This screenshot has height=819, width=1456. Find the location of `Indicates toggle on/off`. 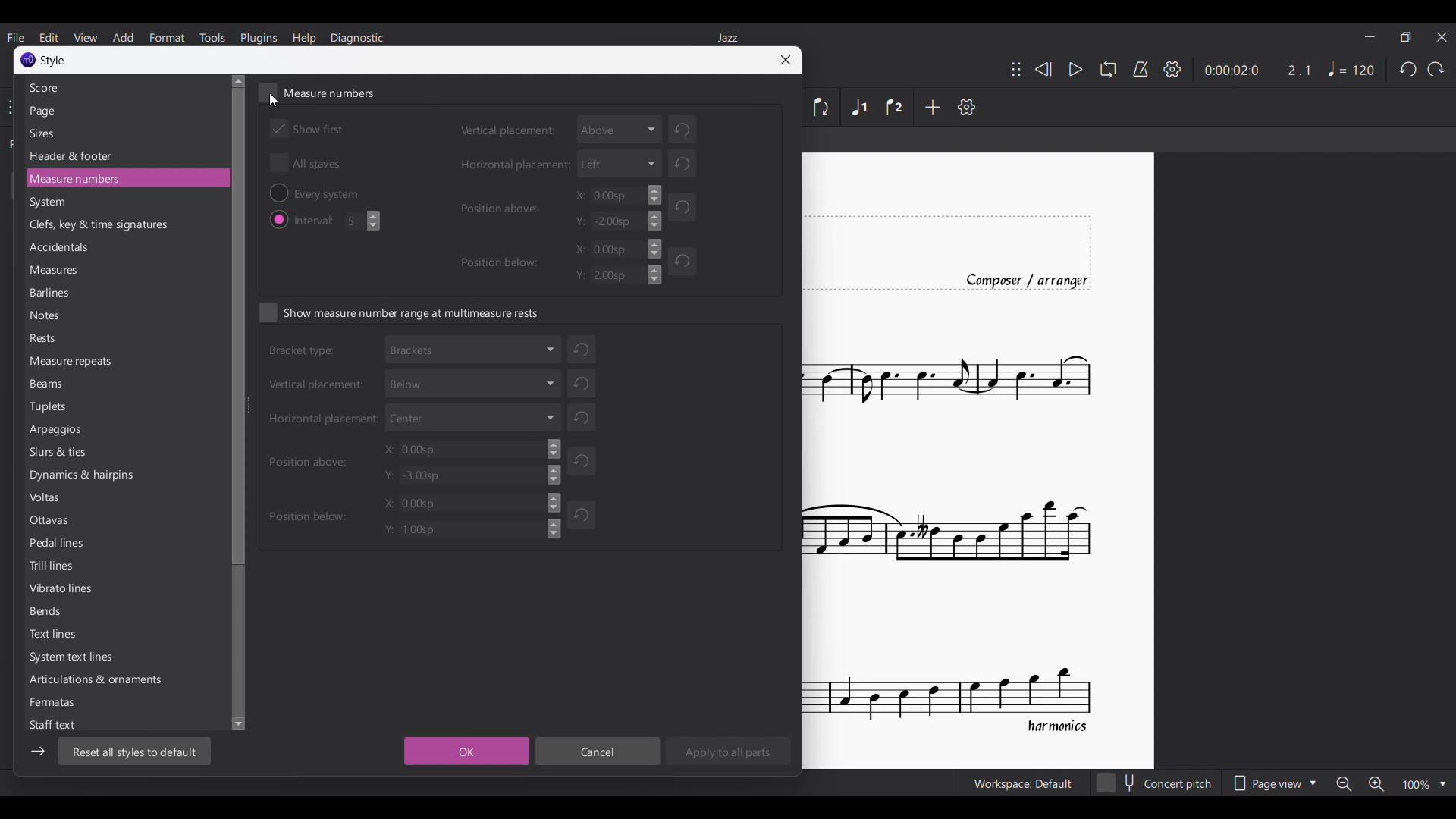

Indicates toggle on/off is located at coordinates (278, 220).